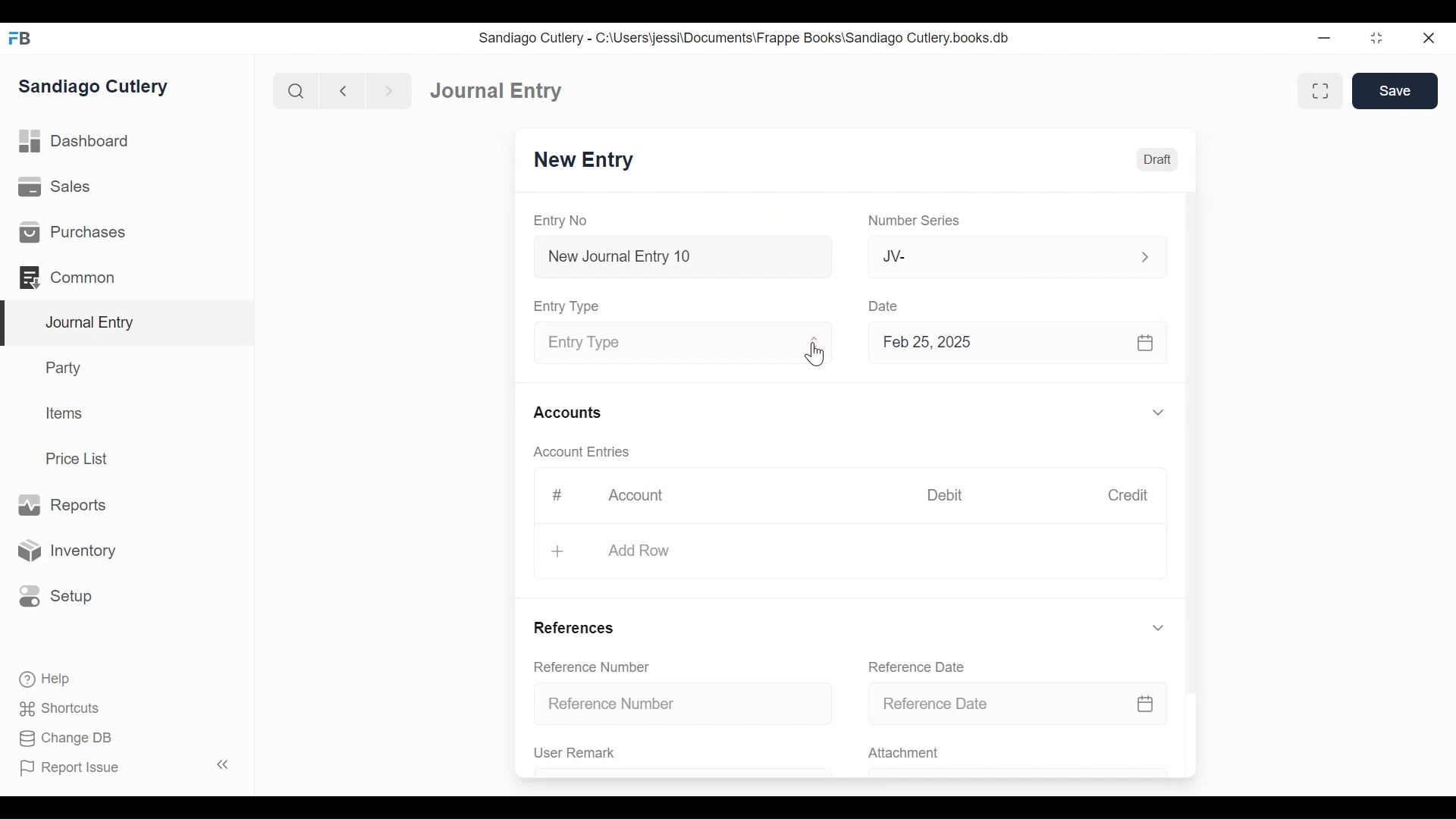 This screenshot has height=819, width=1456. What do you see at coordinates (665, 344) in the screenshot?
I see `Entry Type` at bounding box center [665, 344].